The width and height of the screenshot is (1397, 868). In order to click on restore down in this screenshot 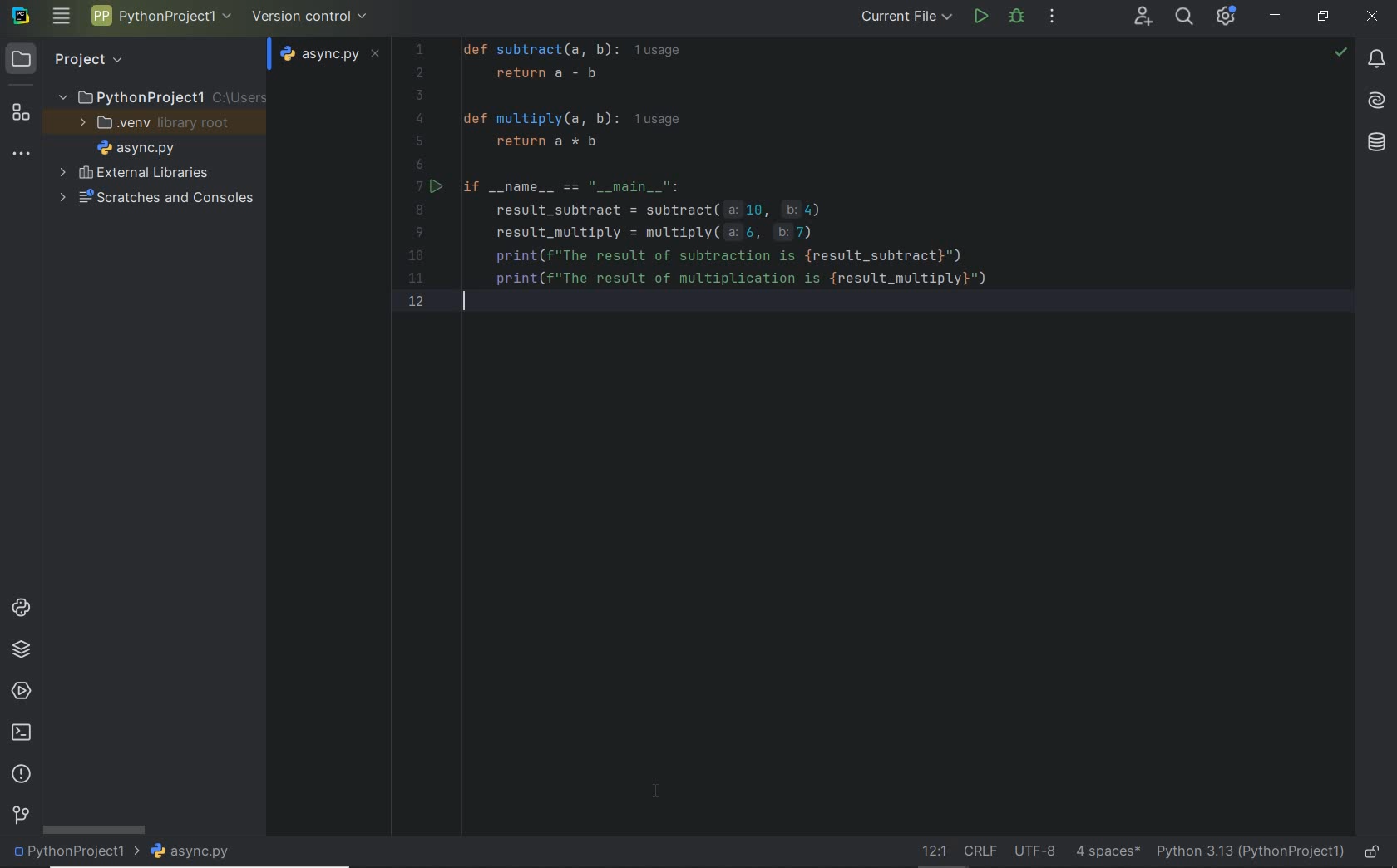, I will do `click(1323, 20)`.